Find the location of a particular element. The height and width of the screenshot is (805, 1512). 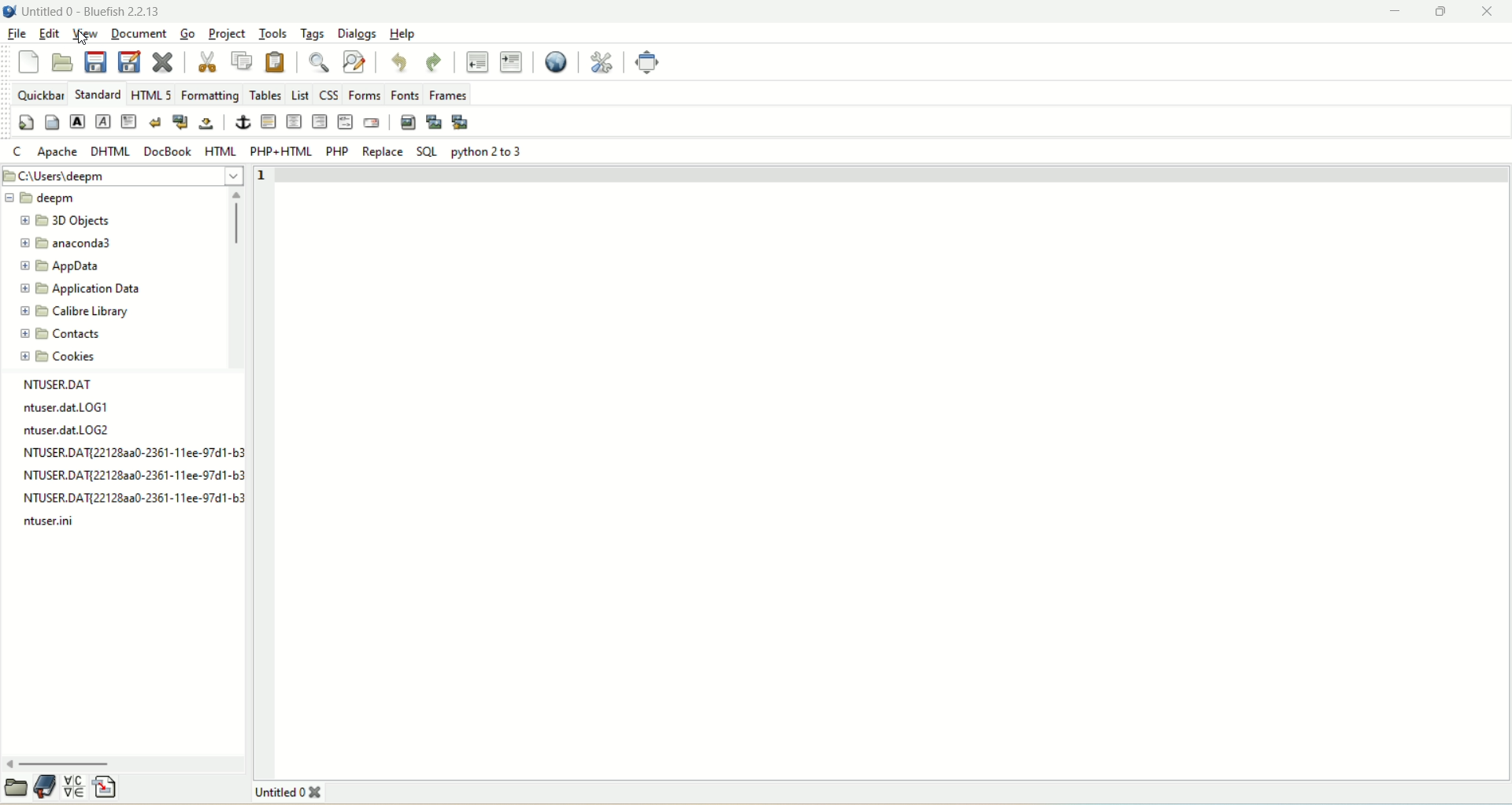

list is located at coordinates (299, 95).